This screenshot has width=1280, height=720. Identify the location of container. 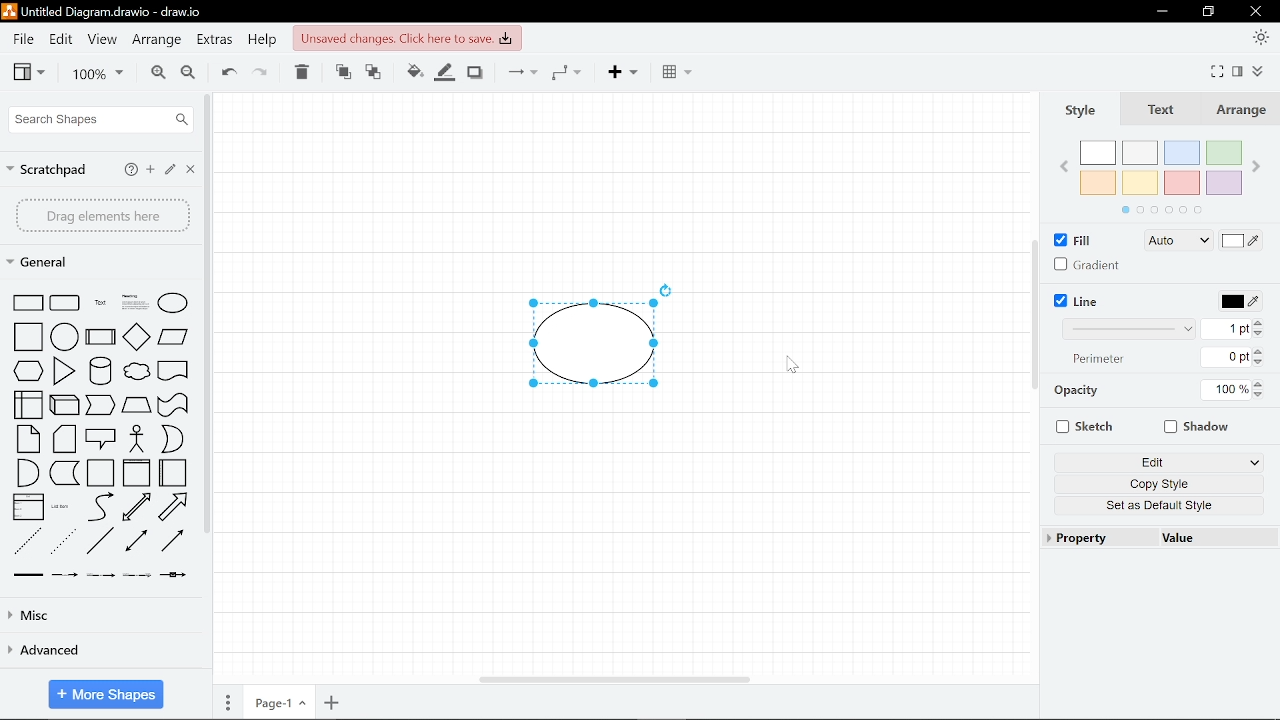
(100, 473).